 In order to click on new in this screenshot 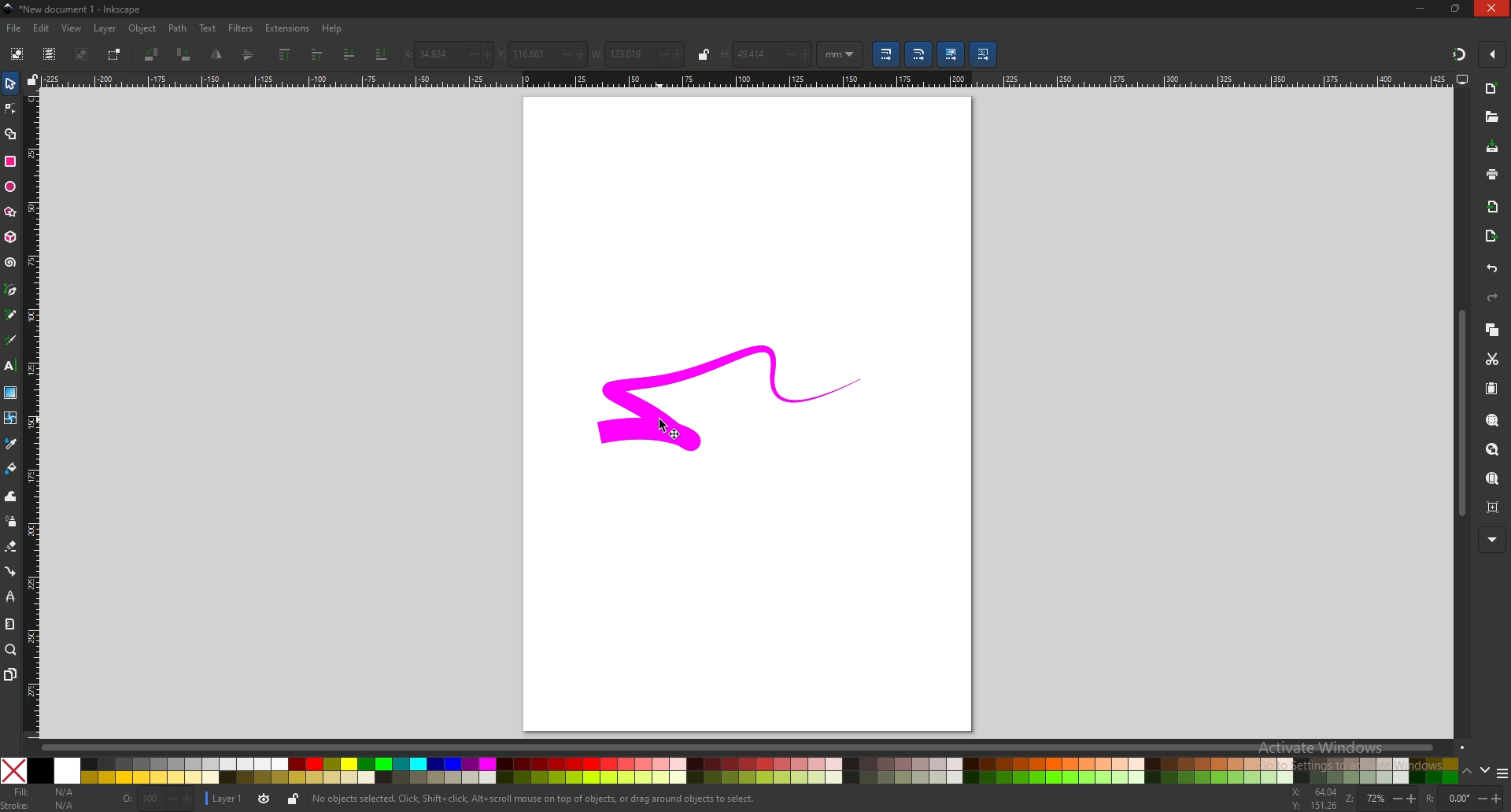, I will do `click(1491, 90)`.